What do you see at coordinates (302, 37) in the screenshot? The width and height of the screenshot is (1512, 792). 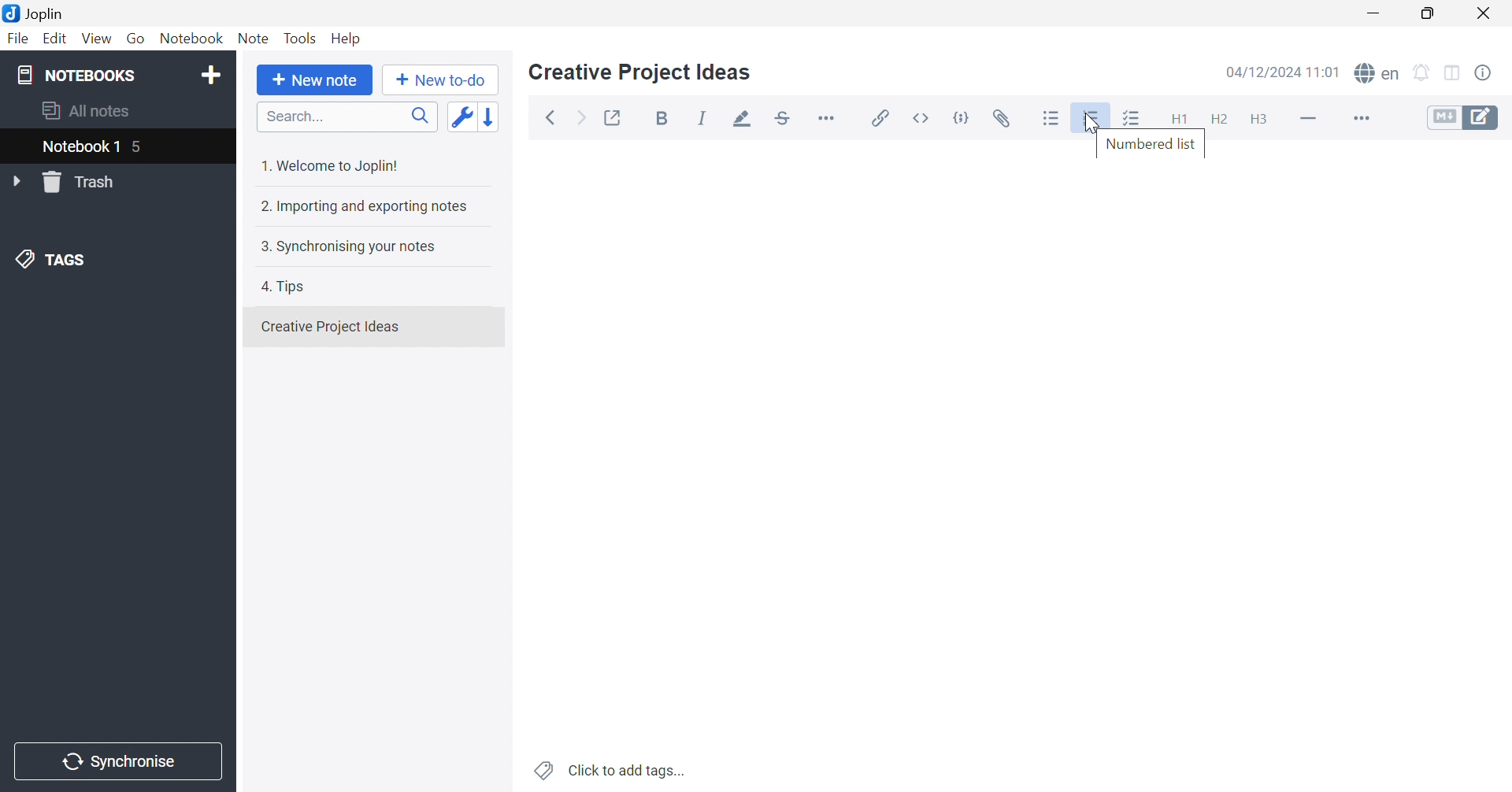 I see `Tools` at bounding box center [302, 37].